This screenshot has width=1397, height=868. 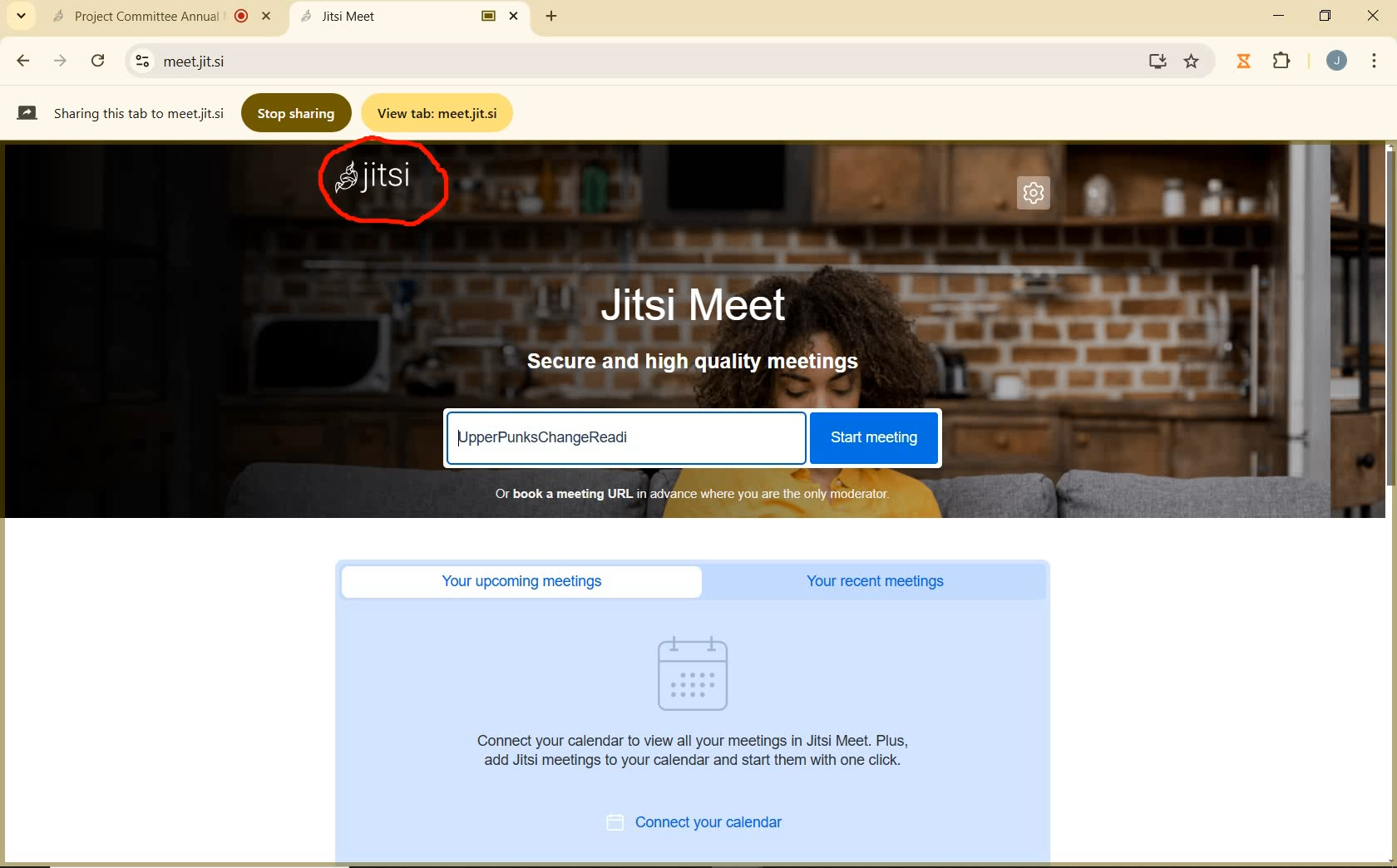 What do you see at coordinates (1337, 61) in the screenshot?
I see `ACCOUNT` at bounding box center [1337, 61].